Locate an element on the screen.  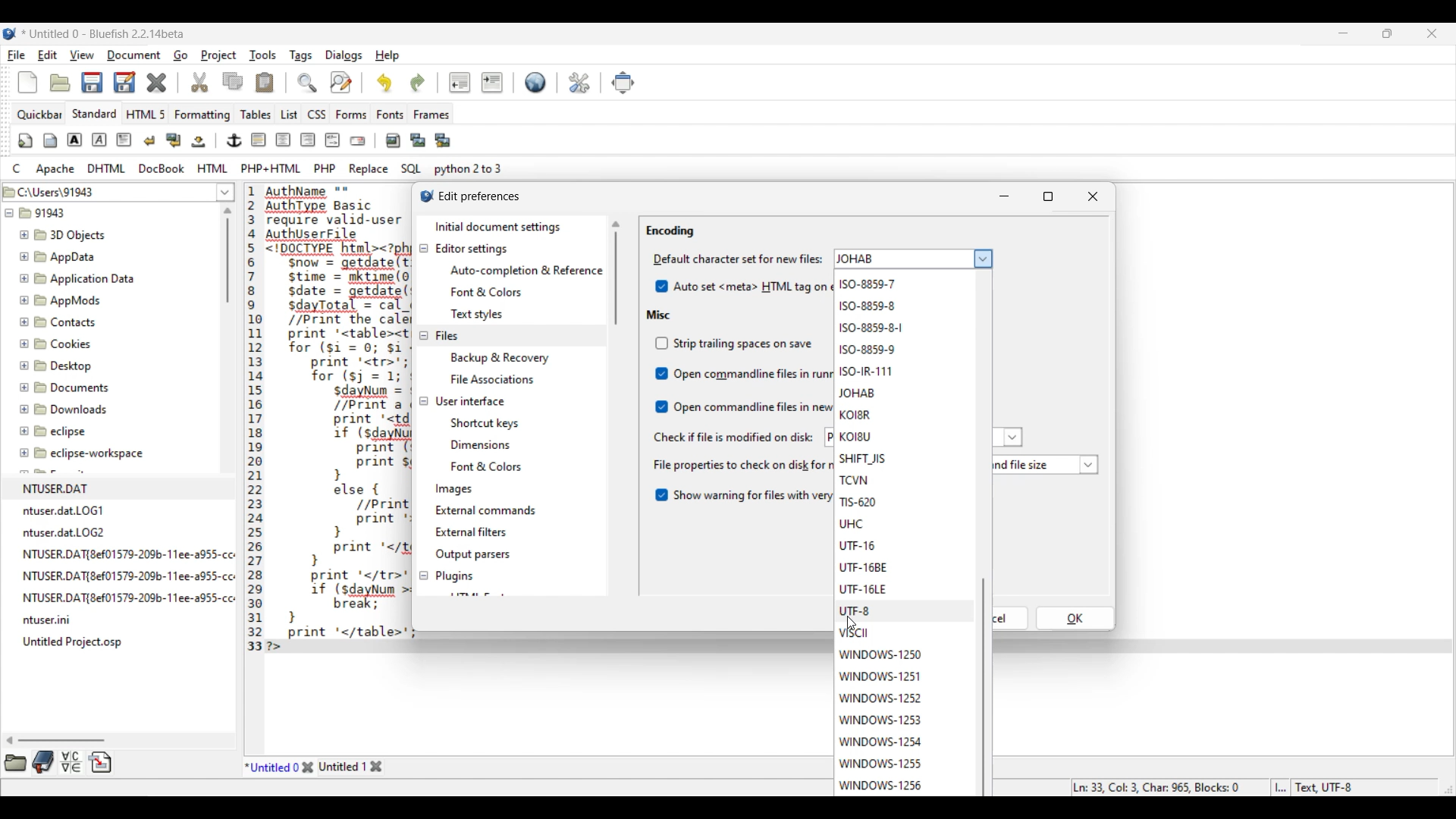
Images is located at coordinates (455, 489).